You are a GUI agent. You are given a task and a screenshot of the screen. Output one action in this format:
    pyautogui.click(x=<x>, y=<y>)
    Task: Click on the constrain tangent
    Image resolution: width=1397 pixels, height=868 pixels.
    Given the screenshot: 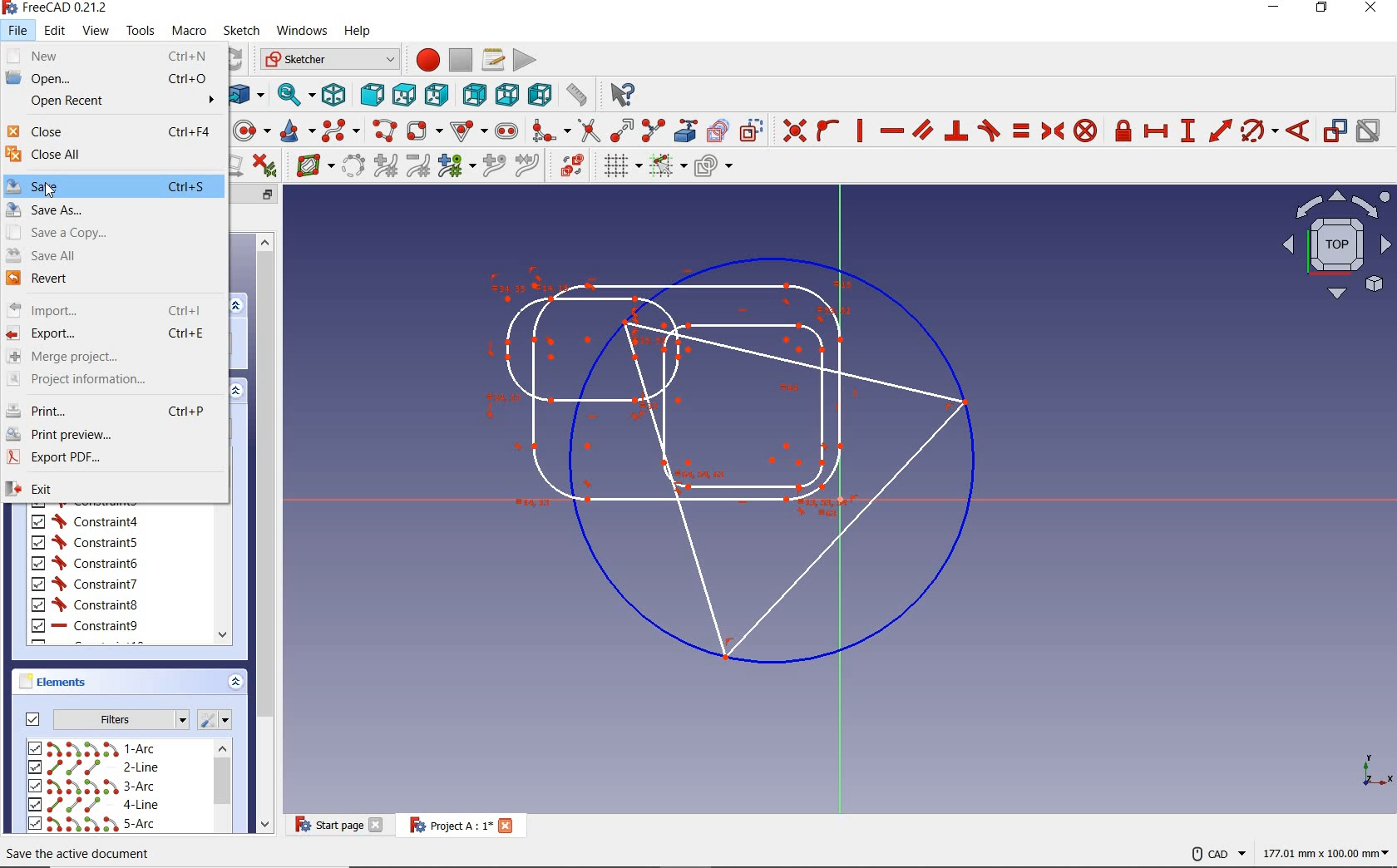 What is the action you would take?
    pyautogui.click(x=990, y=130)
    